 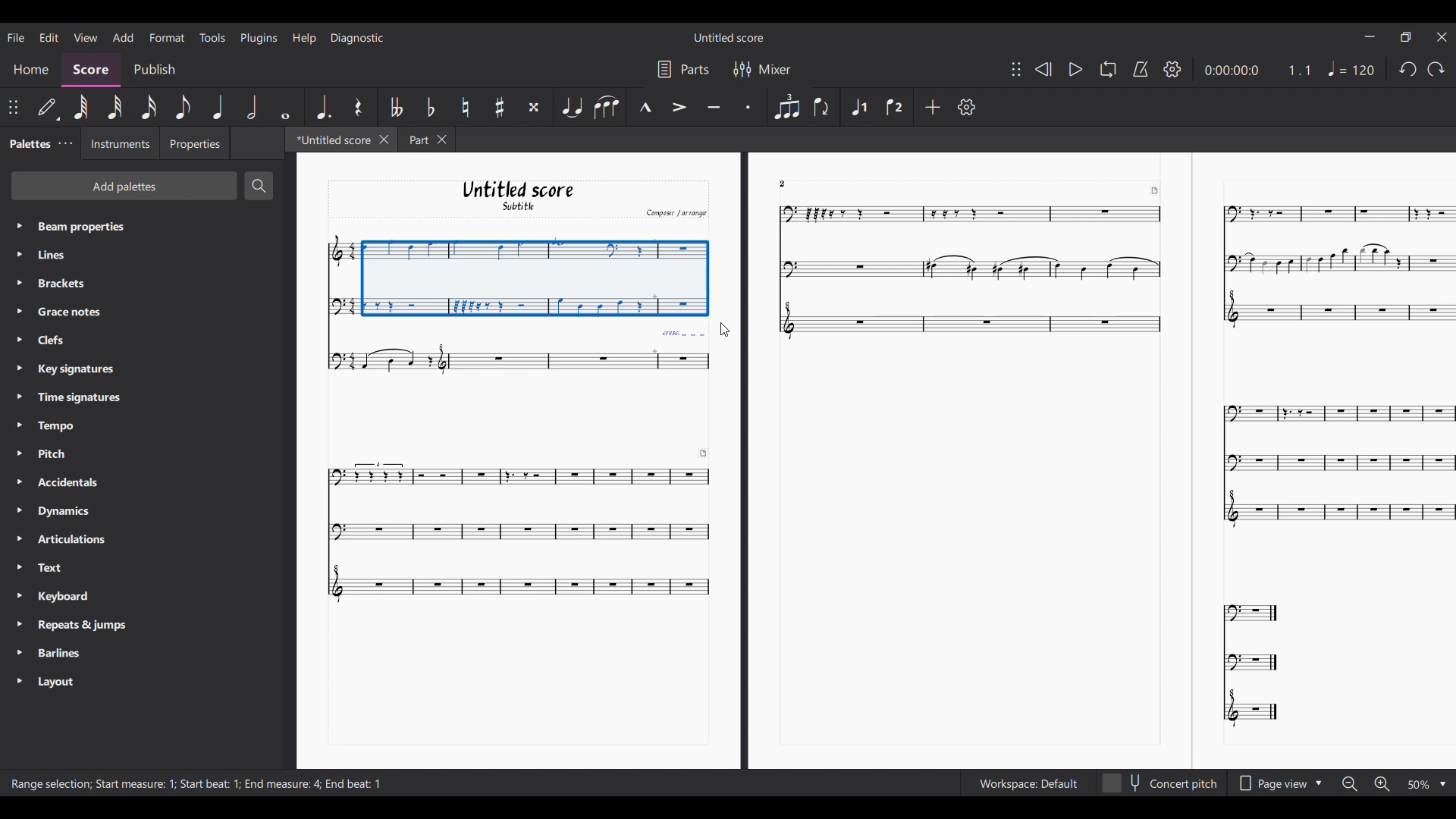 What do you see at coordinates (76, 538) in the screenshot?
I see `Articulations` at bounding box center [76, 538].